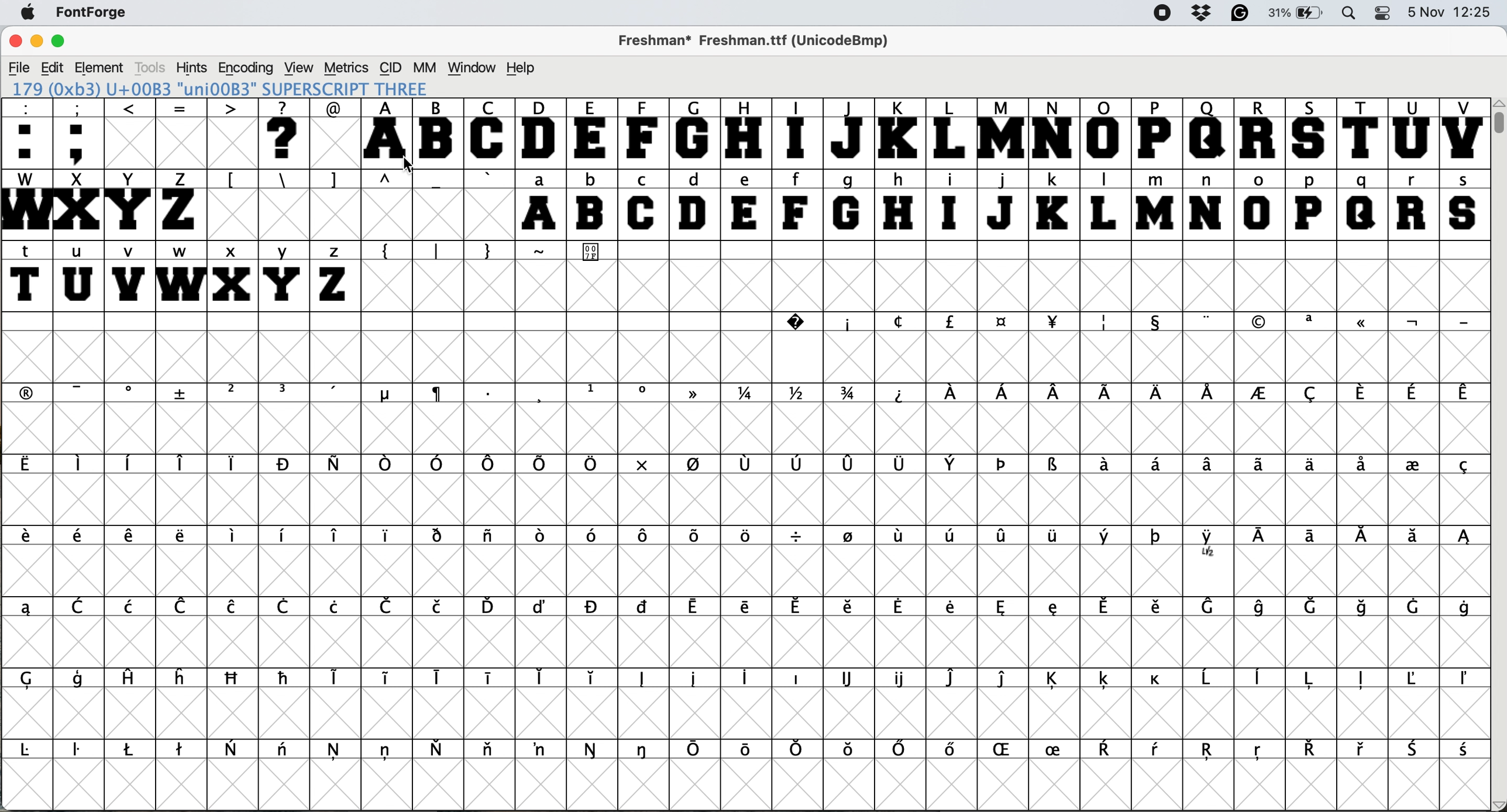  What do you see at coordinates (489, 465) in the screenshot?
I see `symbol` at bounding box center [489, 465].